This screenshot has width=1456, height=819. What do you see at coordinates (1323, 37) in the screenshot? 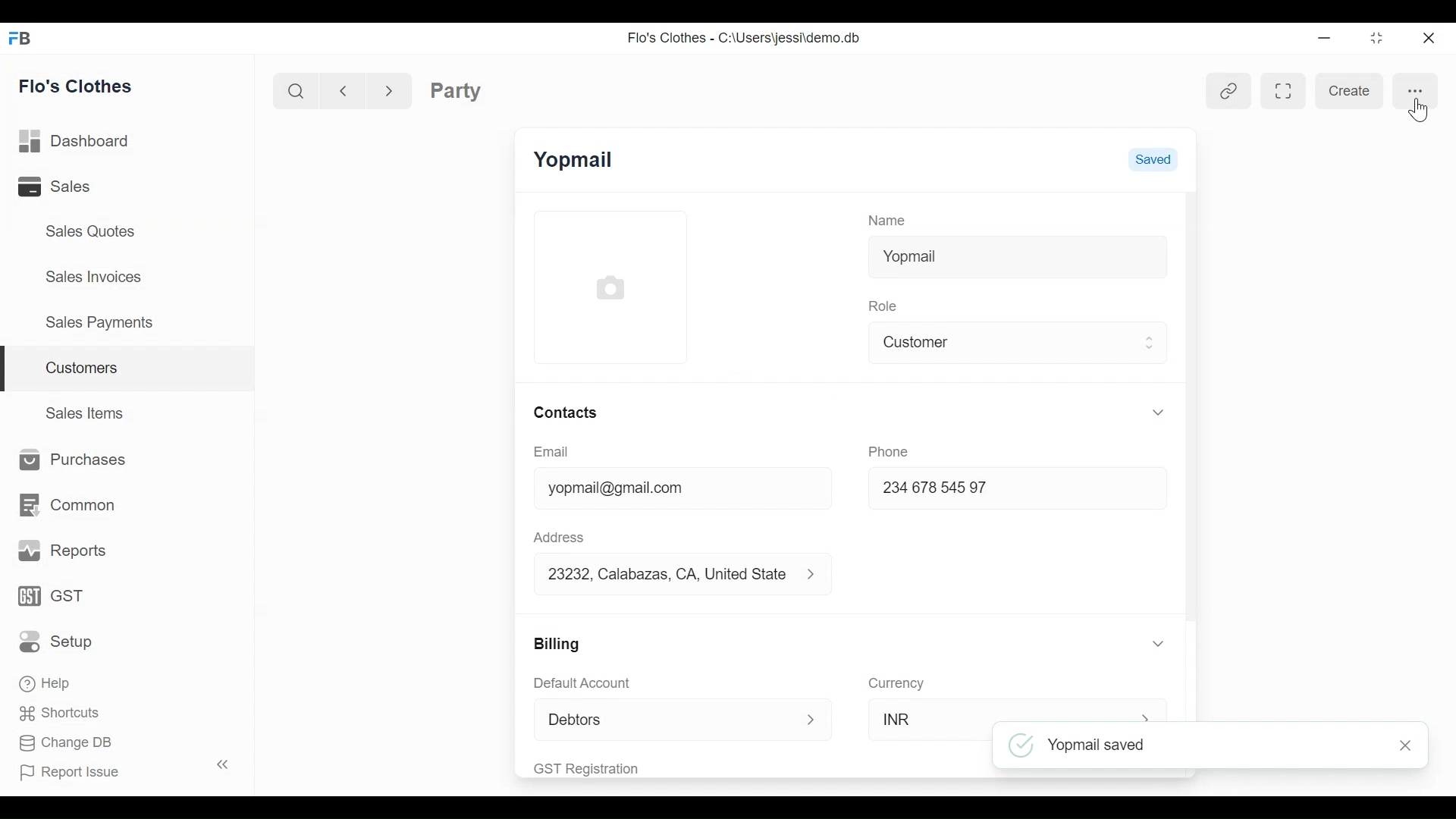
I see `minimize` at bounding box center [1323, 37].